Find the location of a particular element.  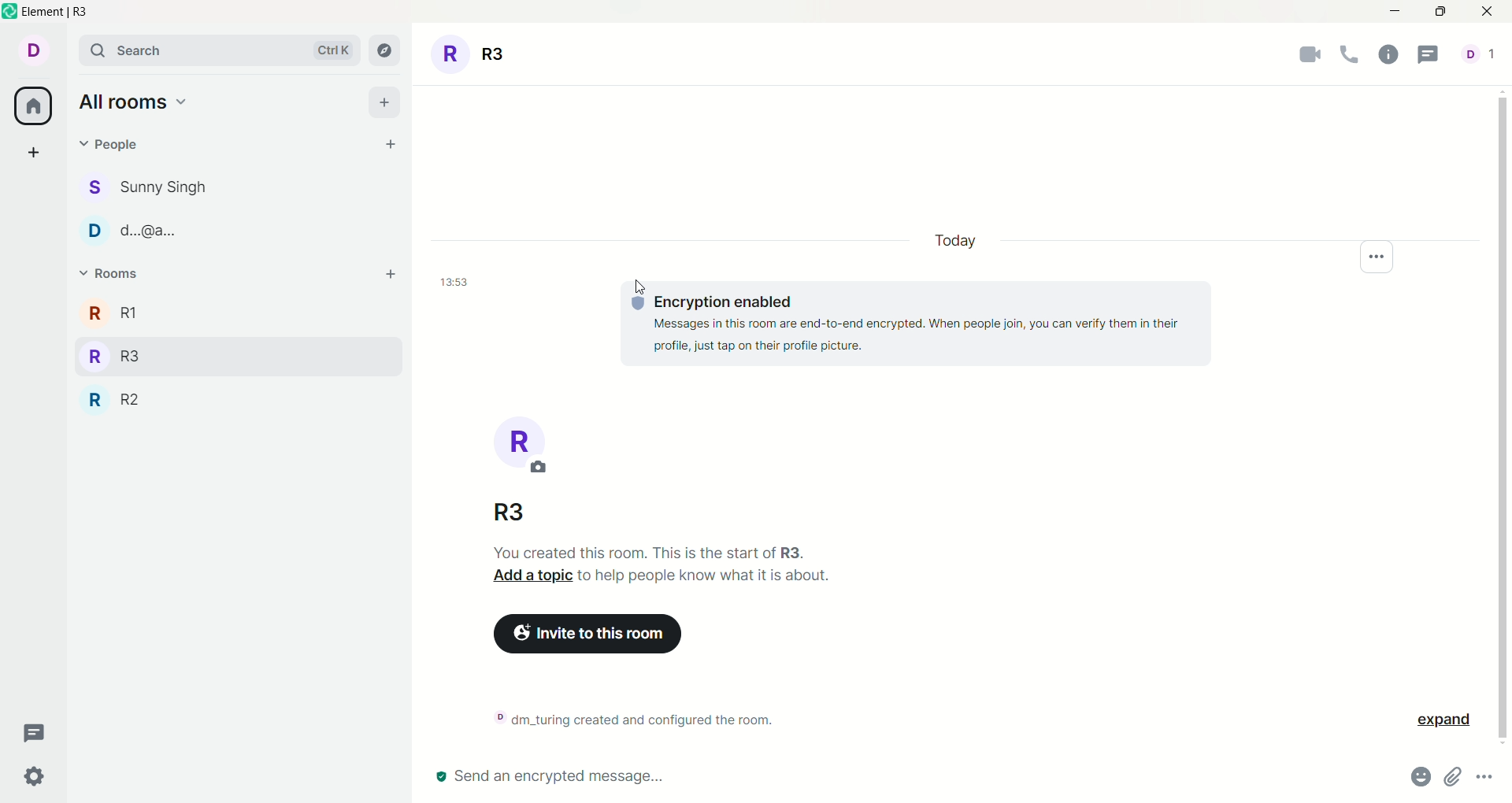

threads is located at coordinates (41, 734).